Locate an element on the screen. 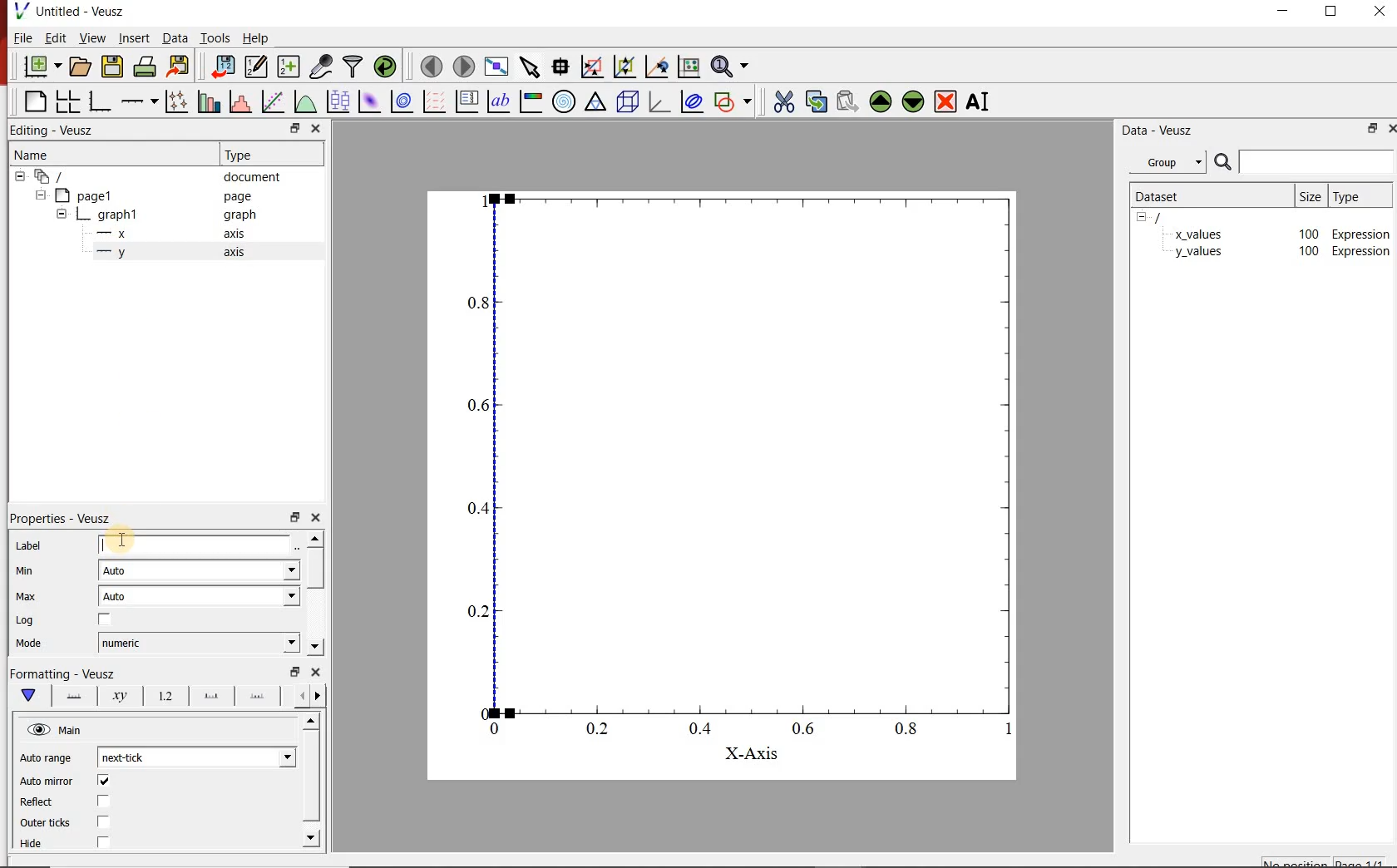  close is located at coordinates (317, 671).